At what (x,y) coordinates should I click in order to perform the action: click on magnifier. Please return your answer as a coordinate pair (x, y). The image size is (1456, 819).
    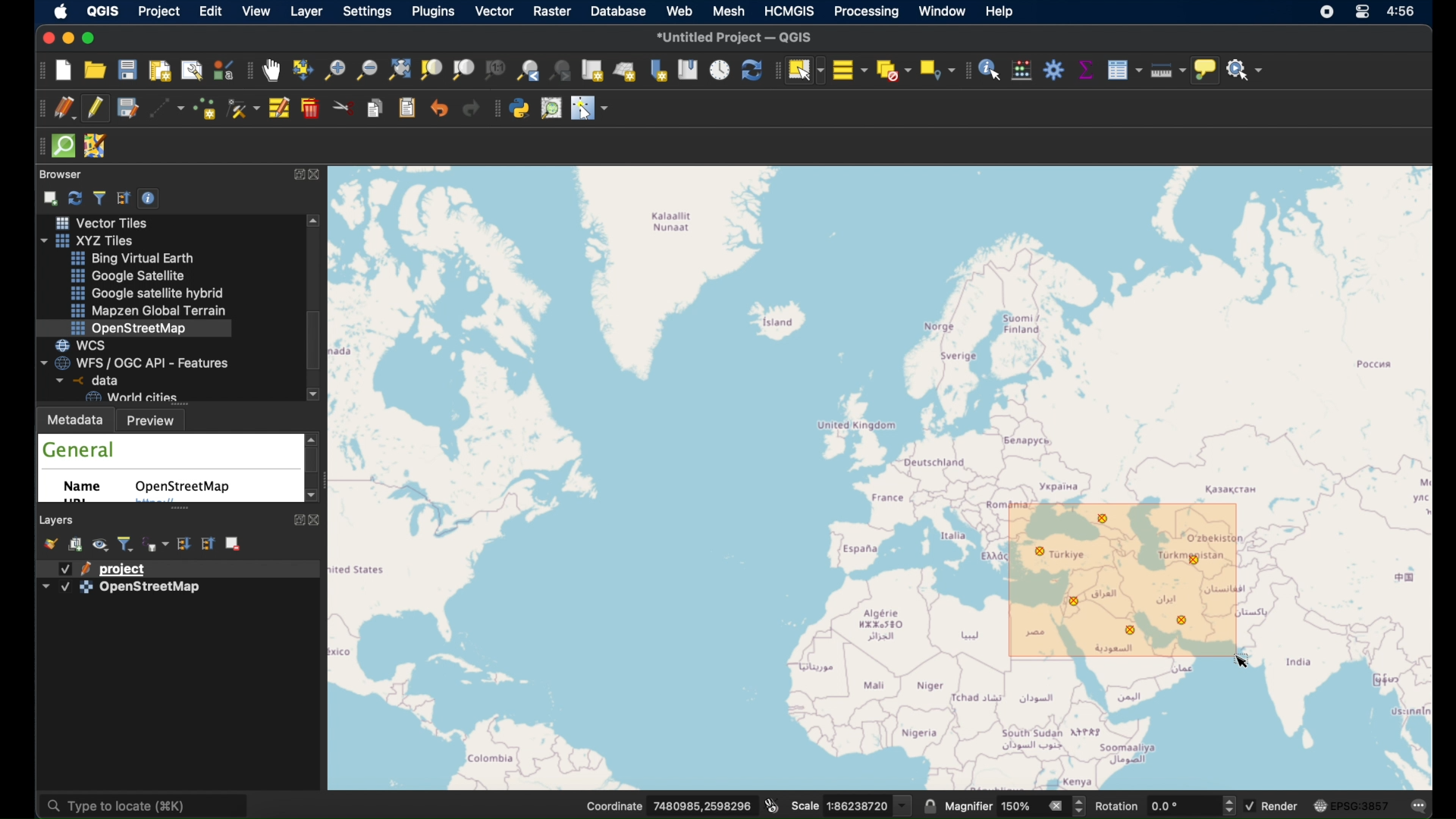
    Looking at the image, I should click on (968, 806).